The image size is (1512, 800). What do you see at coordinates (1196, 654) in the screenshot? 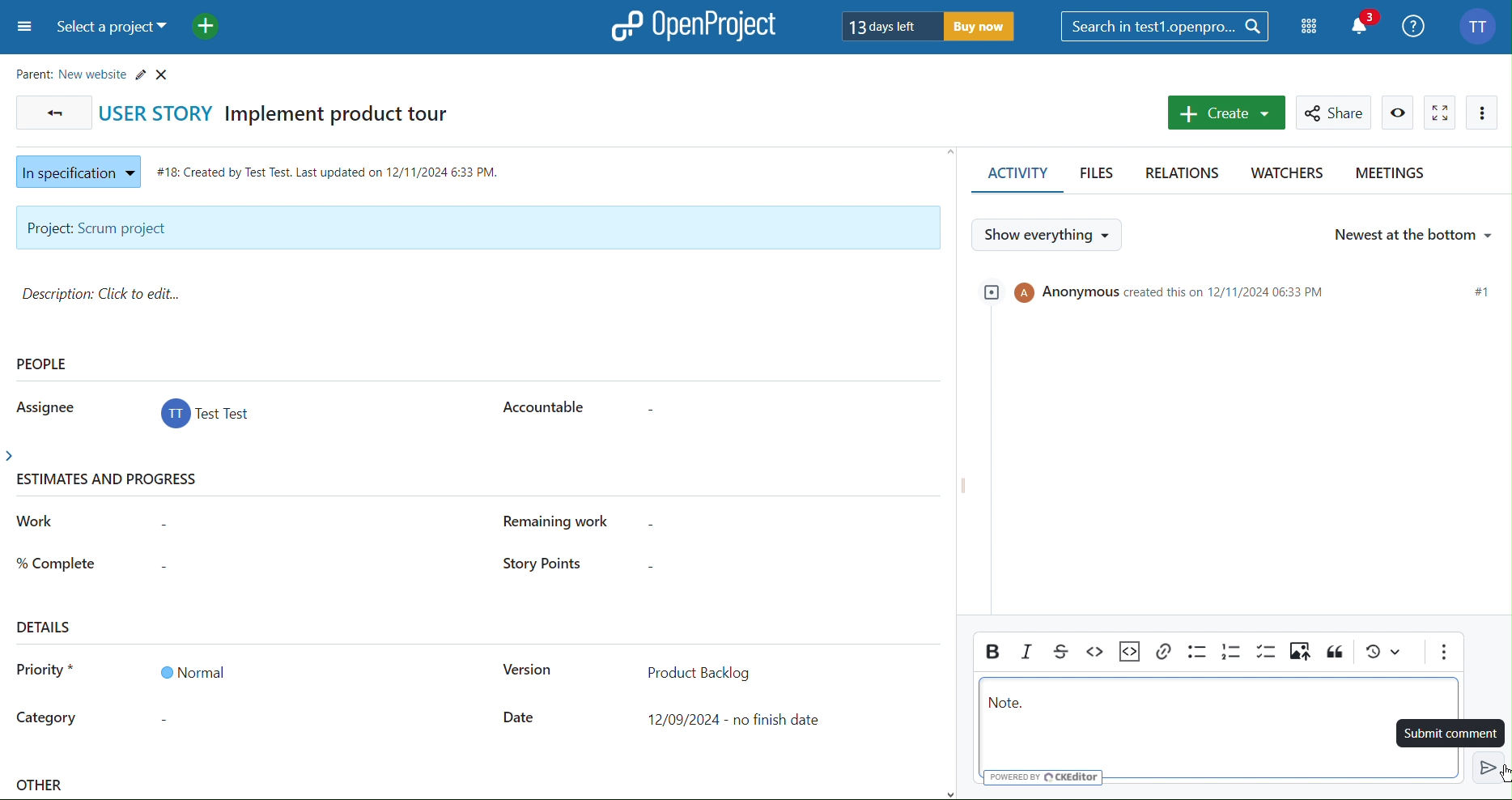
I see `Bullet List` at bounding box center [1196, 654].